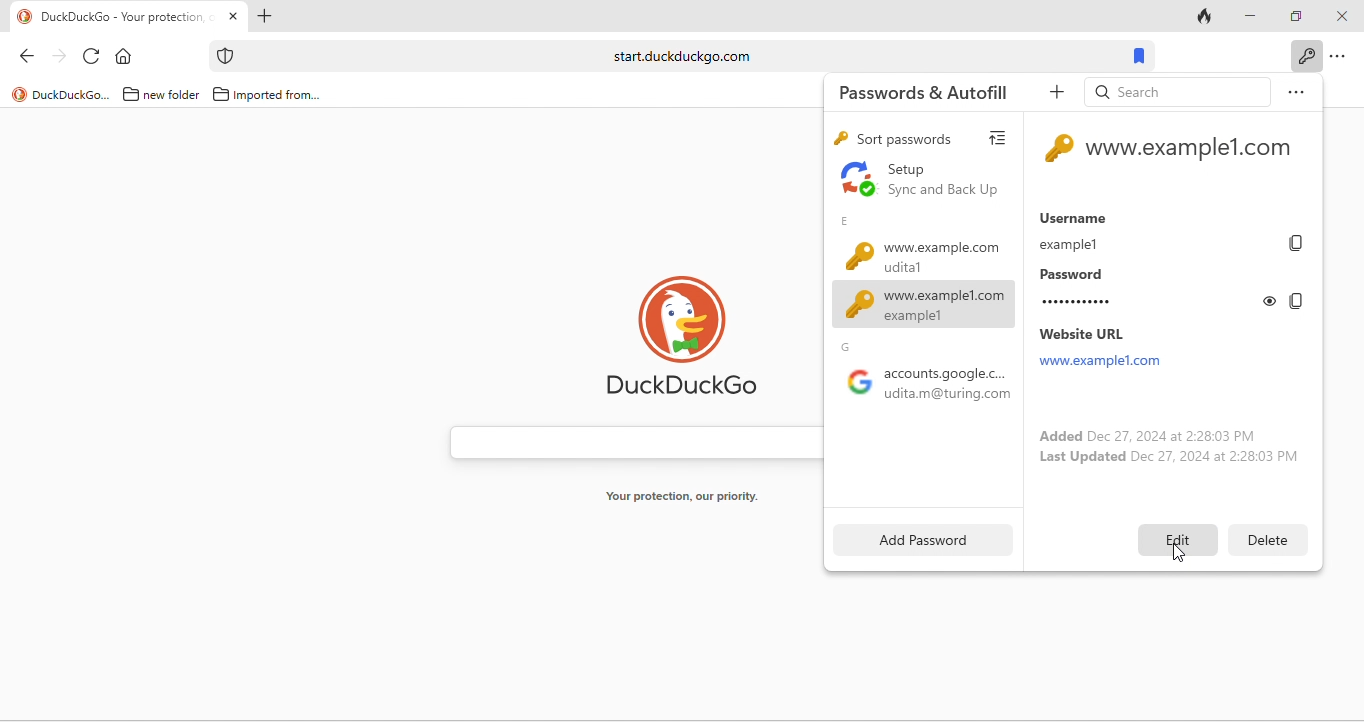 This screenshot has width=1364, height=722. What do you see at coordinates (626, 438) in the screenshot?
I see `search bar` at bounding box center [626, 438].